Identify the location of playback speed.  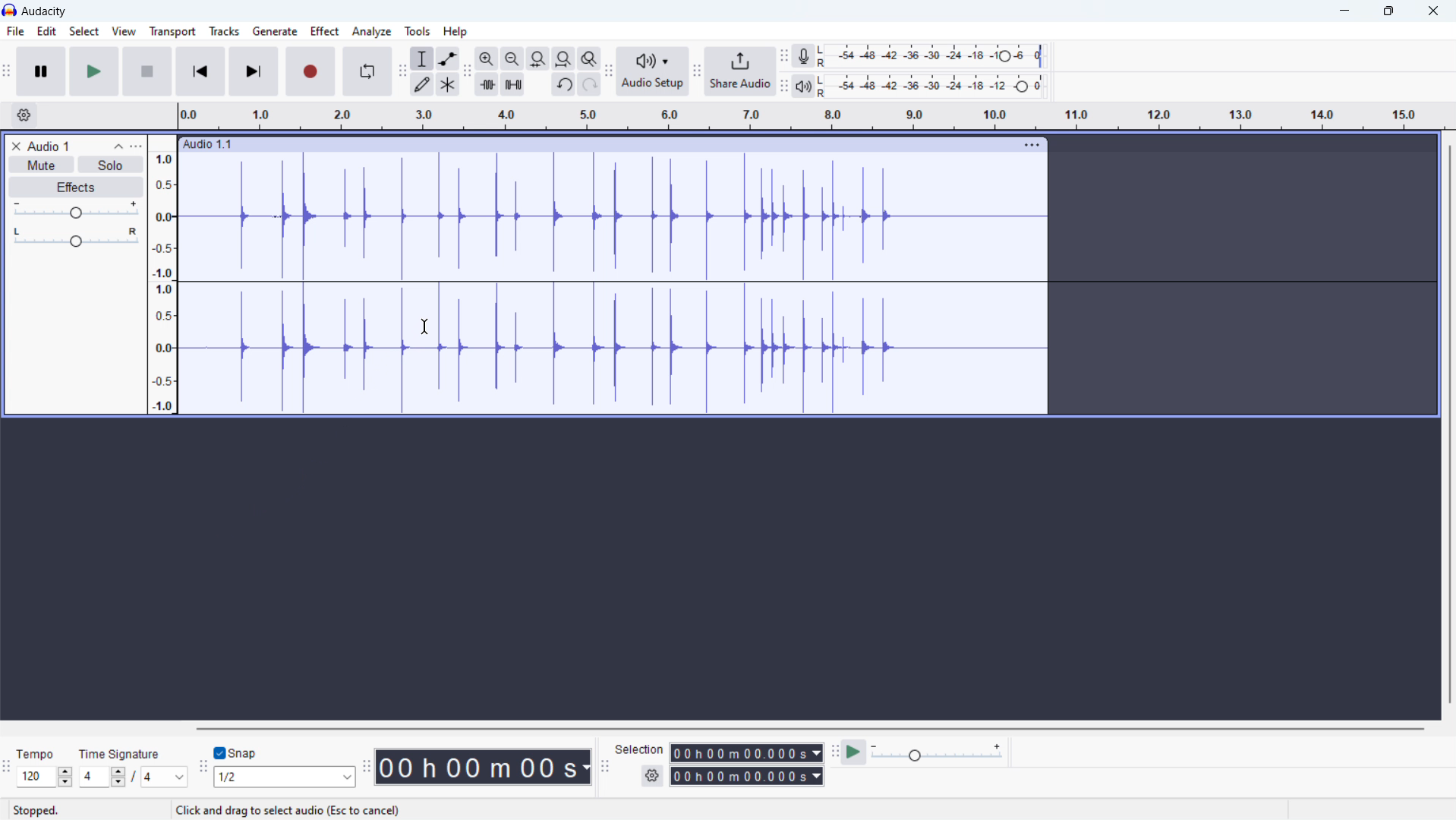
(938, 752).